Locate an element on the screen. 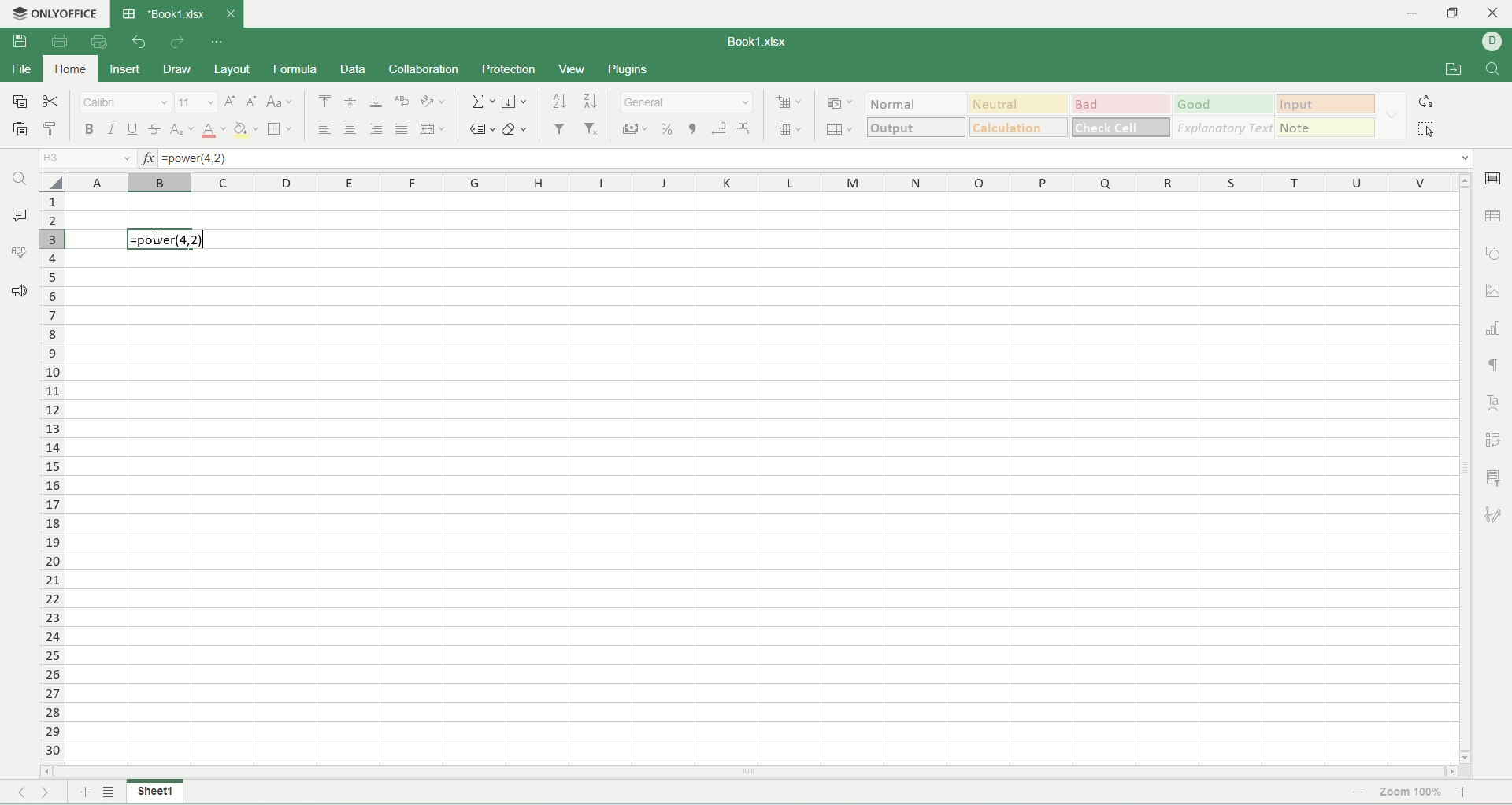 This screenshot has height=805, width=1512. sort ascending is located at coordinates (561, 99).